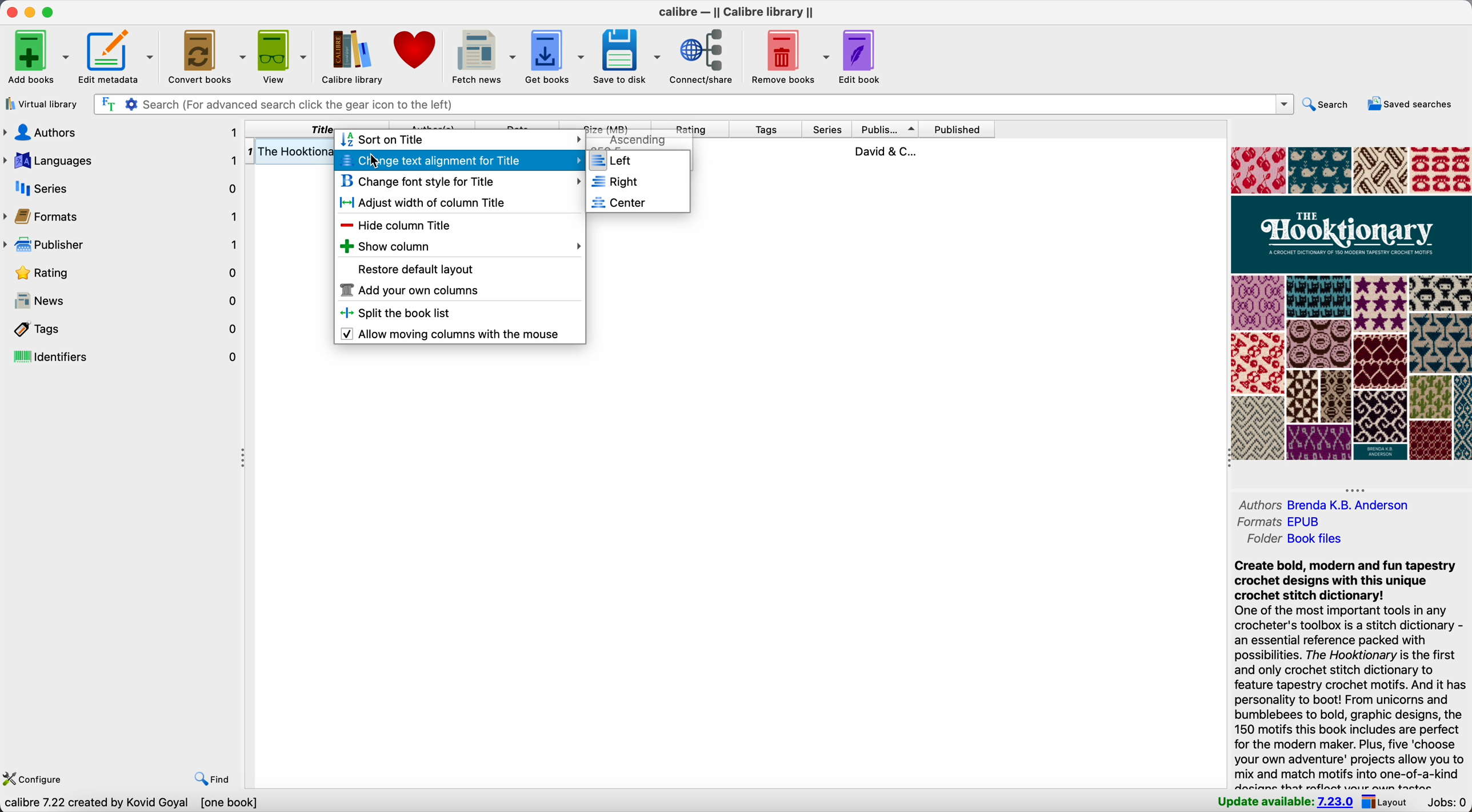  What do you see at coordinates (386, 141) in the screenshot?
I see `sort on title` at bounding box center [386, 141].